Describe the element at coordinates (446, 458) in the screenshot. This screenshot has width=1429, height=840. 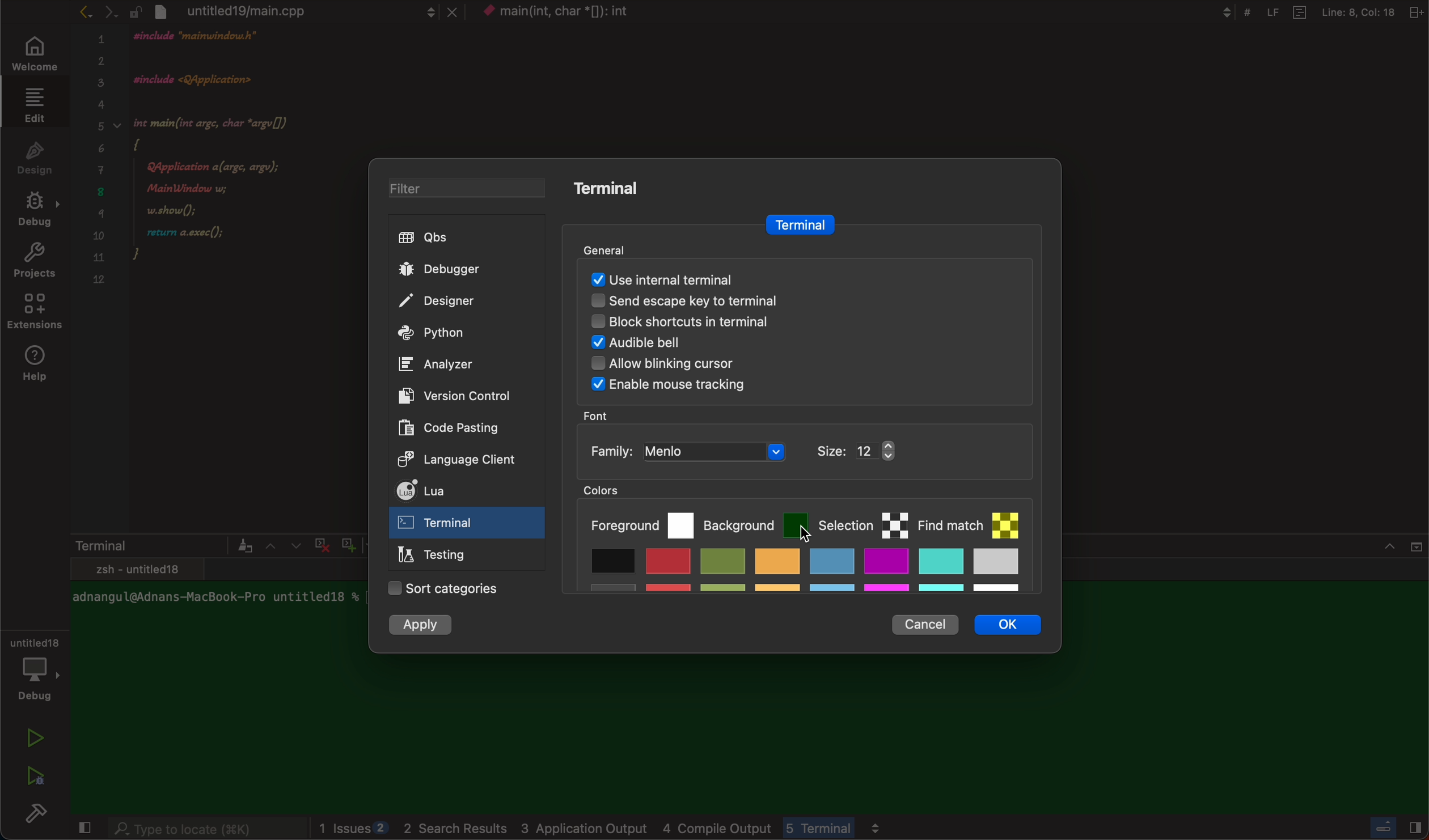
I see `language client` at that location.